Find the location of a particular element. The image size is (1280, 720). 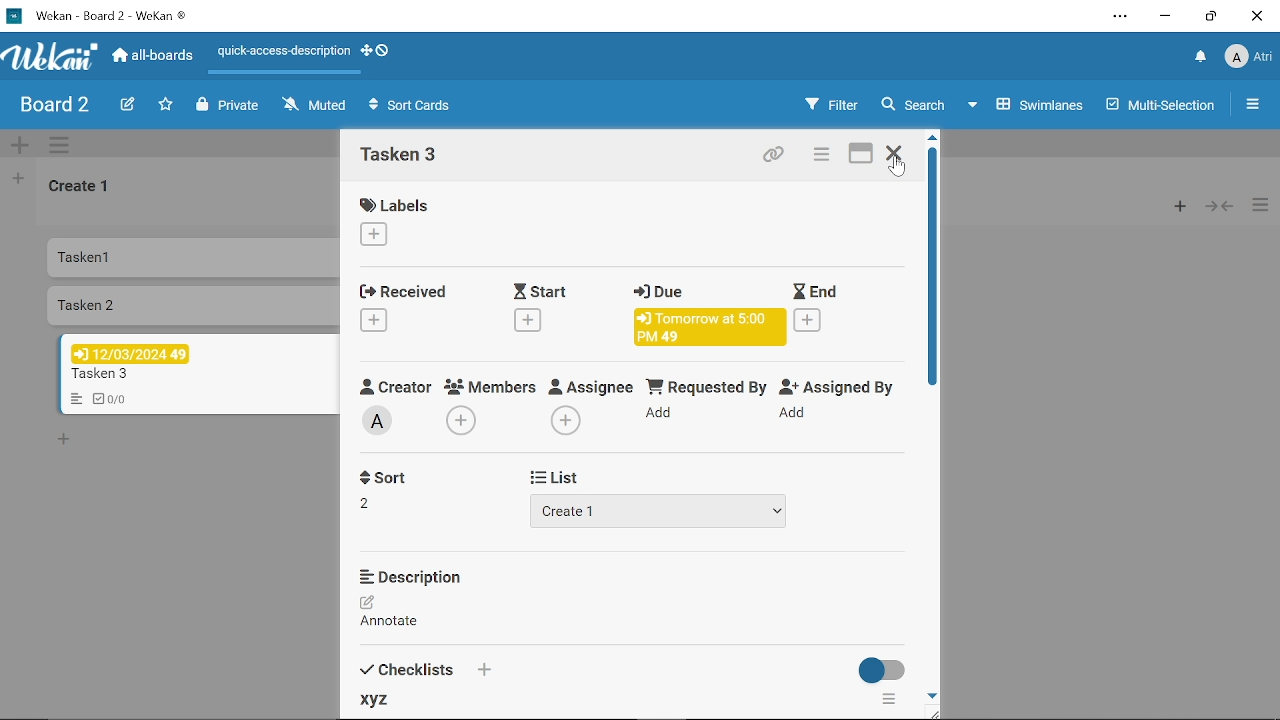

Copy link of this card to clipboard is located at coordinates (771, 153).